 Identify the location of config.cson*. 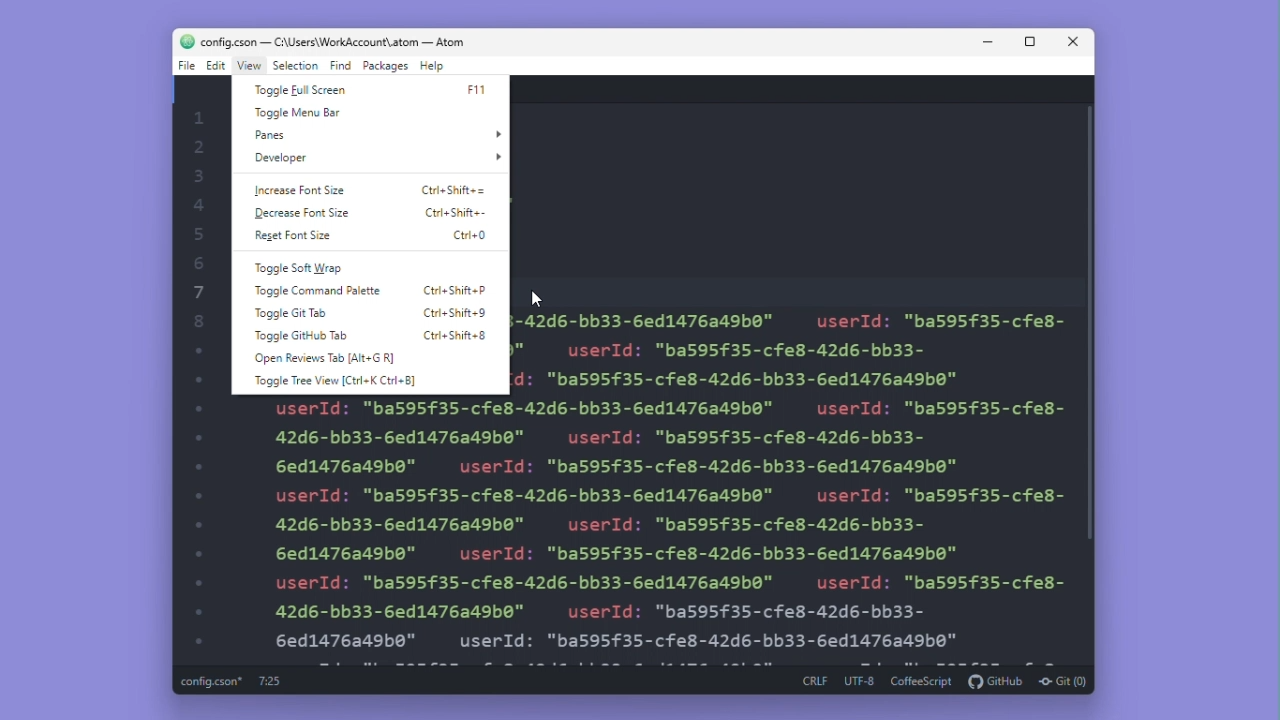
(214, 682).